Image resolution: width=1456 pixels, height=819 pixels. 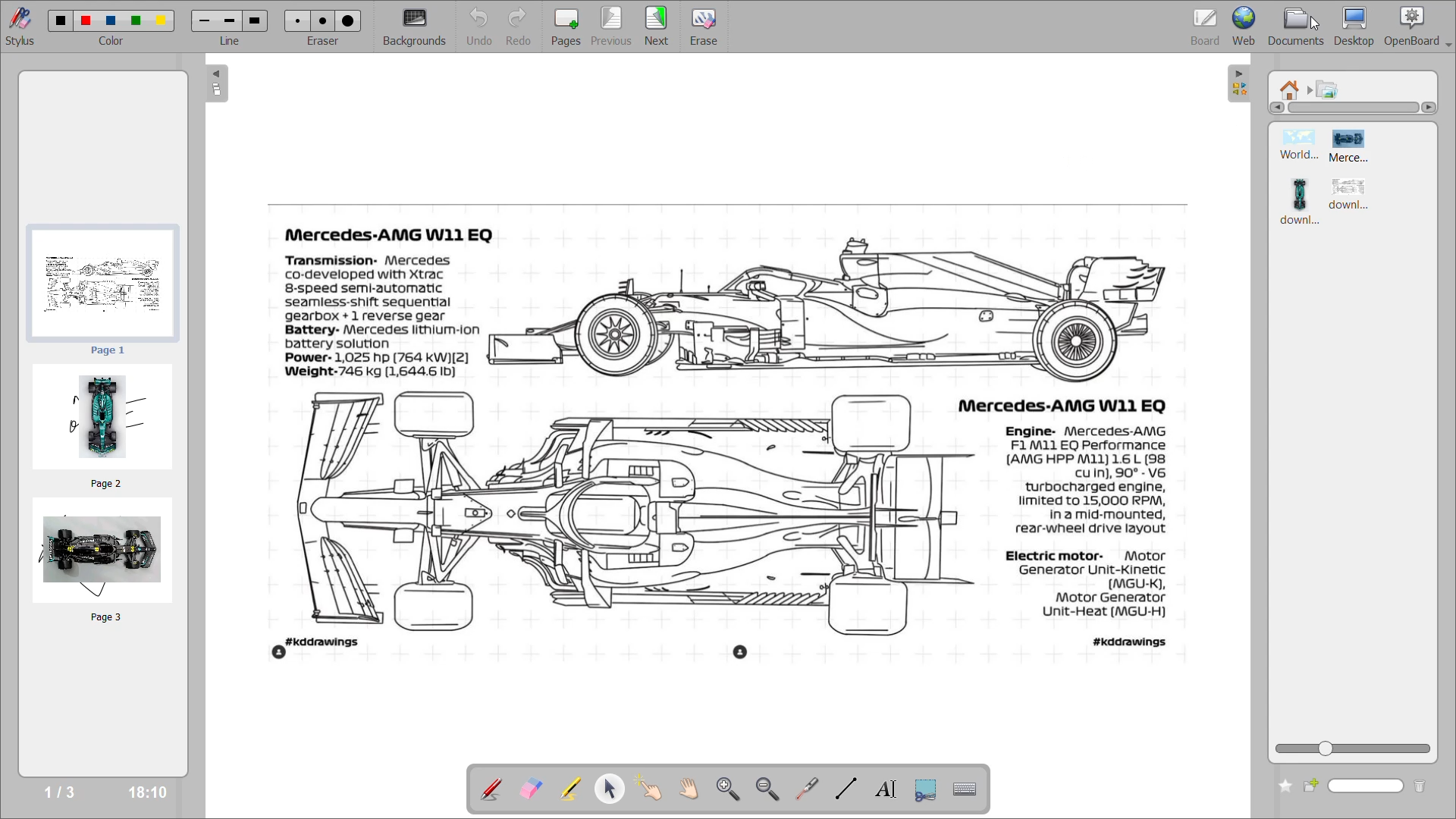 I want to click on erase, so click(x=704, y=27).